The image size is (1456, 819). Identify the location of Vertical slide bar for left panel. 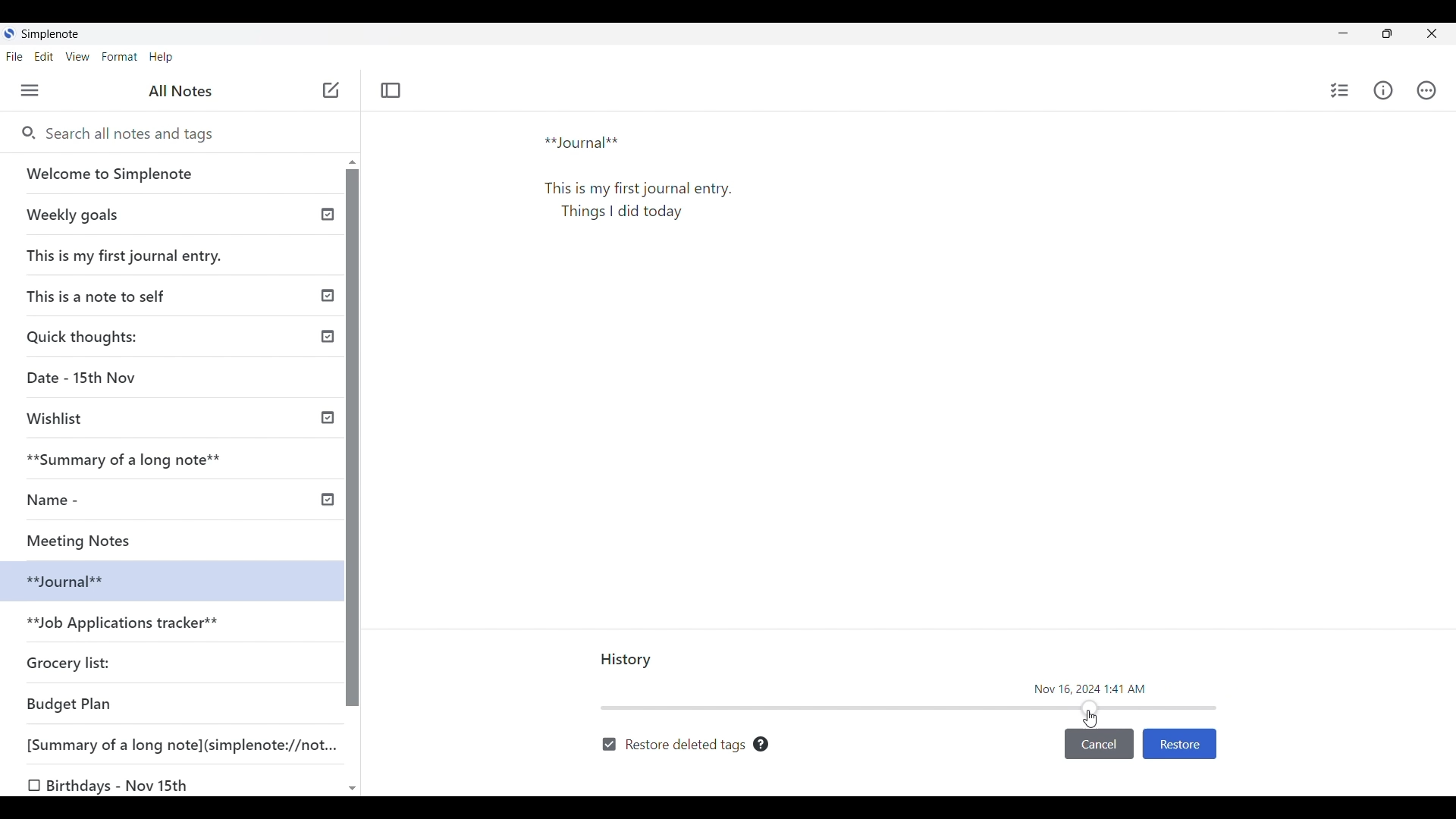
(353, 438).